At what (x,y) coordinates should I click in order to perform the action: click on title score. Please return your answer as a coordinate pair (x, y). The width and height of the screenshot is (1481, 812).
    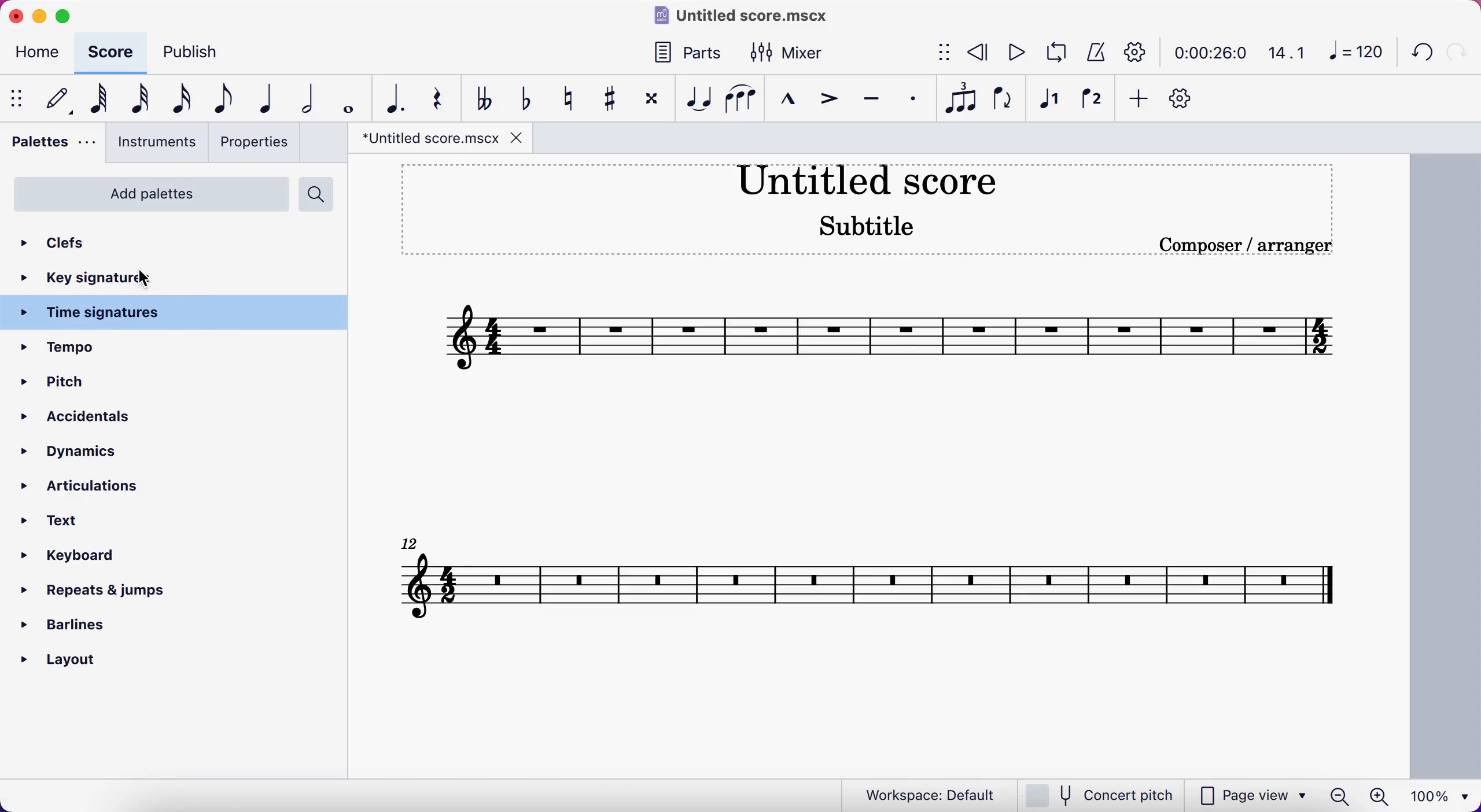
    Looking at the image, I should click on (865, 179).